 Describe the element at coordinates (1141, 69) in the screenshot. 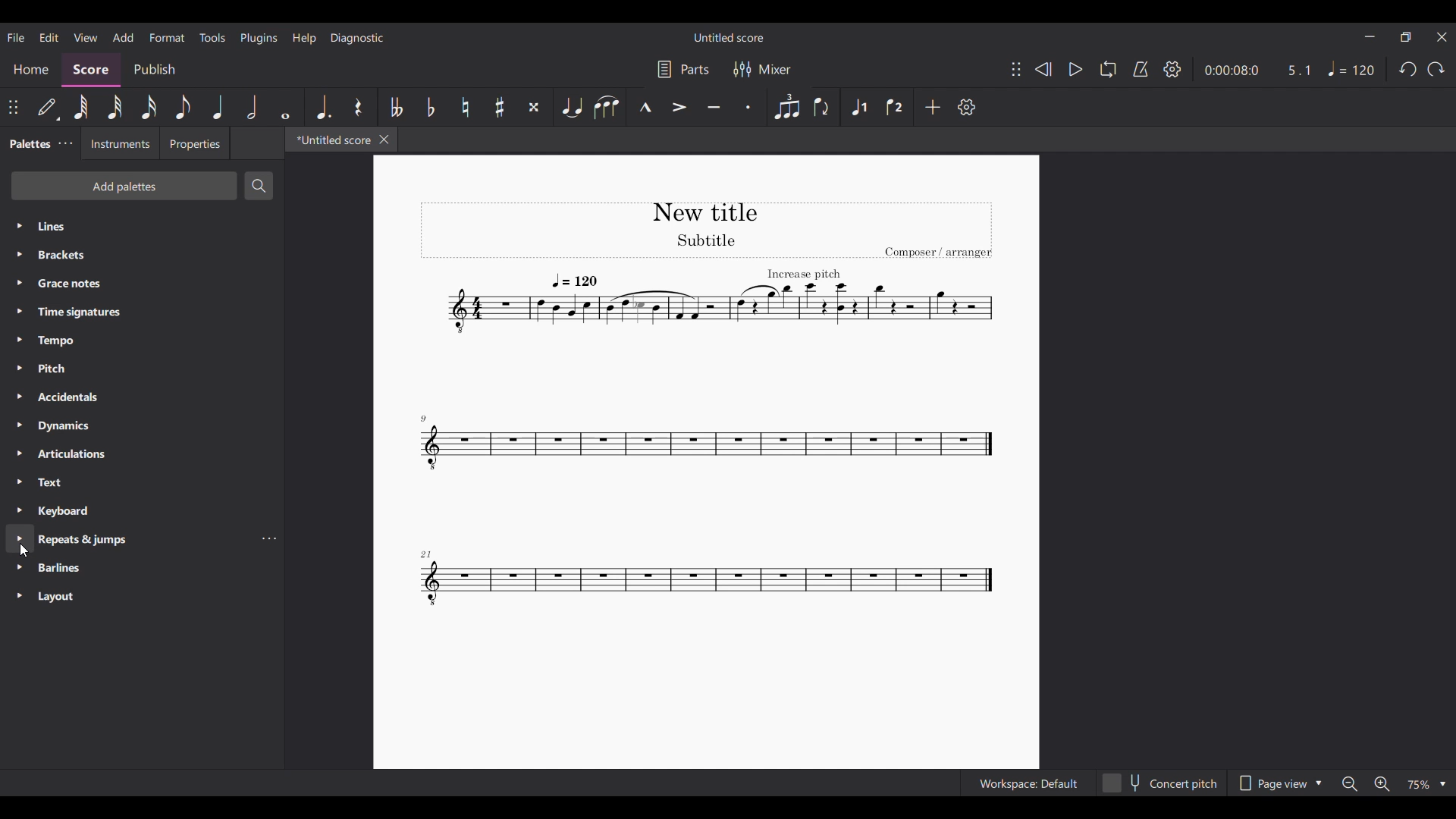

I see `Metronome` at that location.